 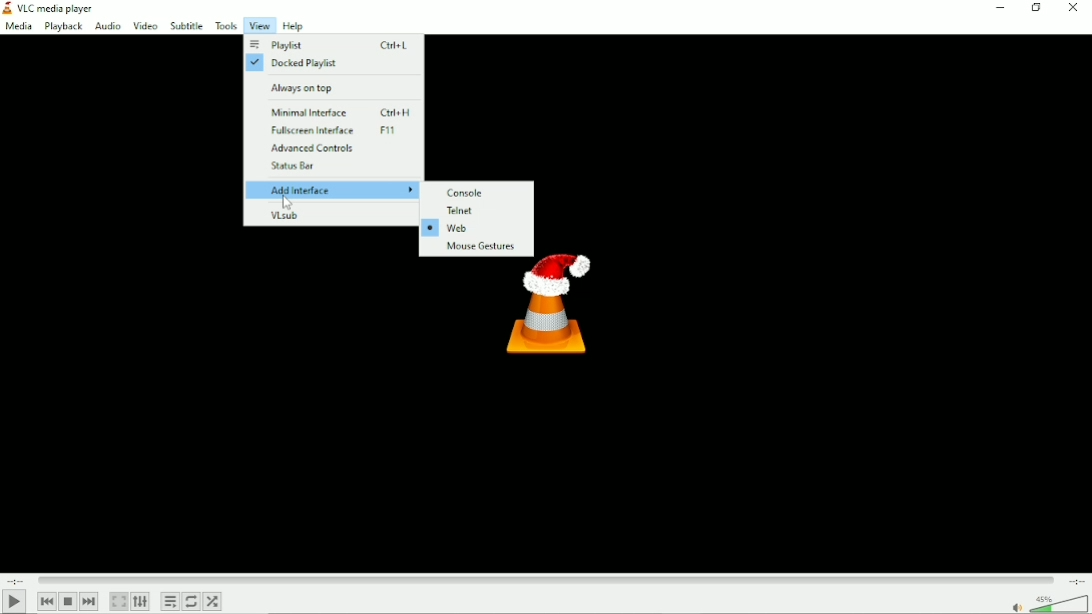 What do you see at coordinates (293, 26) in the screenshot?
I see `Help` at bounding box center [293, 26].